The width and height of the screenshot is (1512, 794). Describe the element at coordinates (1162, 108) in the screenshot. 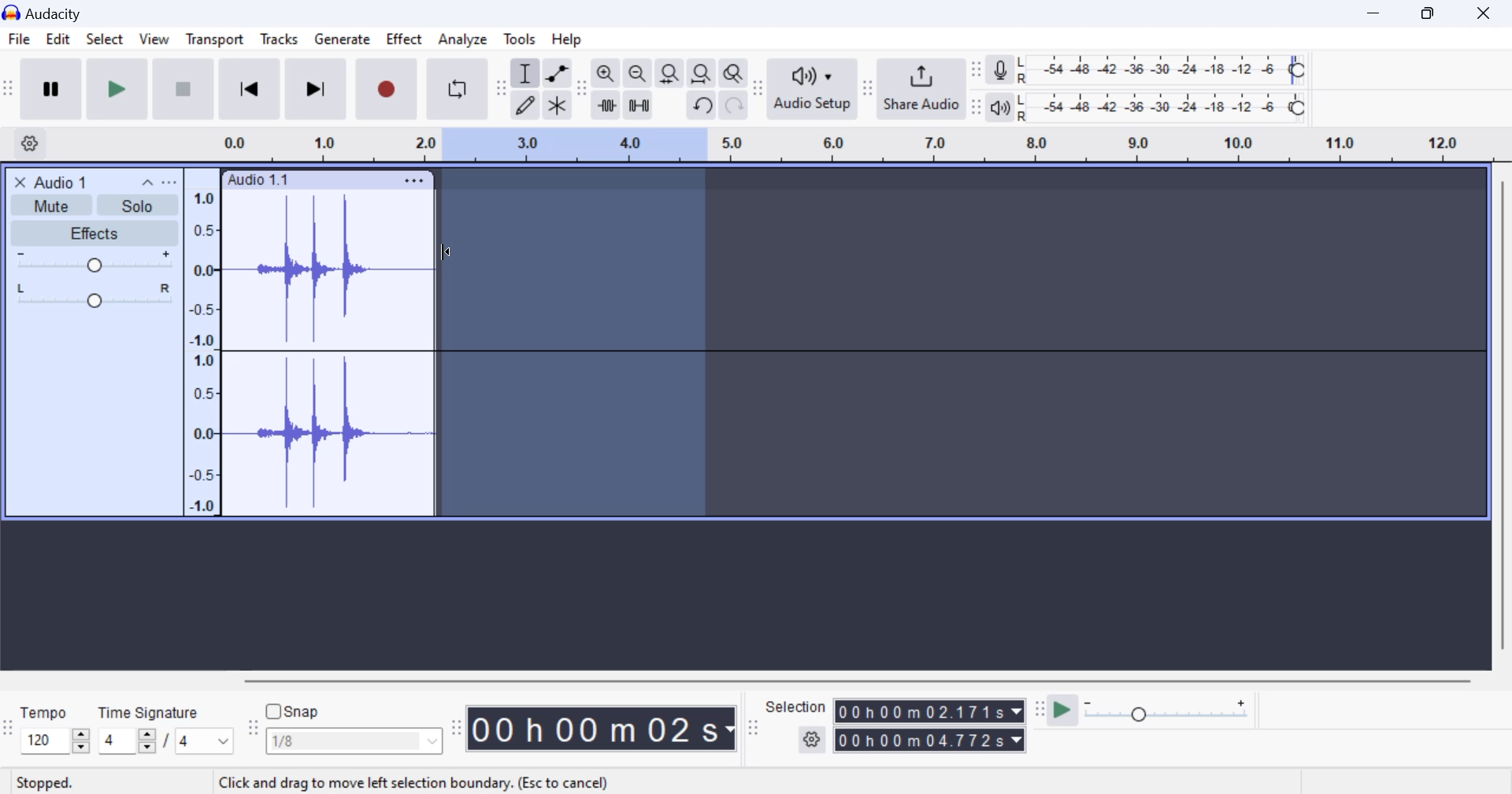

I see `Playback Level` at that location.